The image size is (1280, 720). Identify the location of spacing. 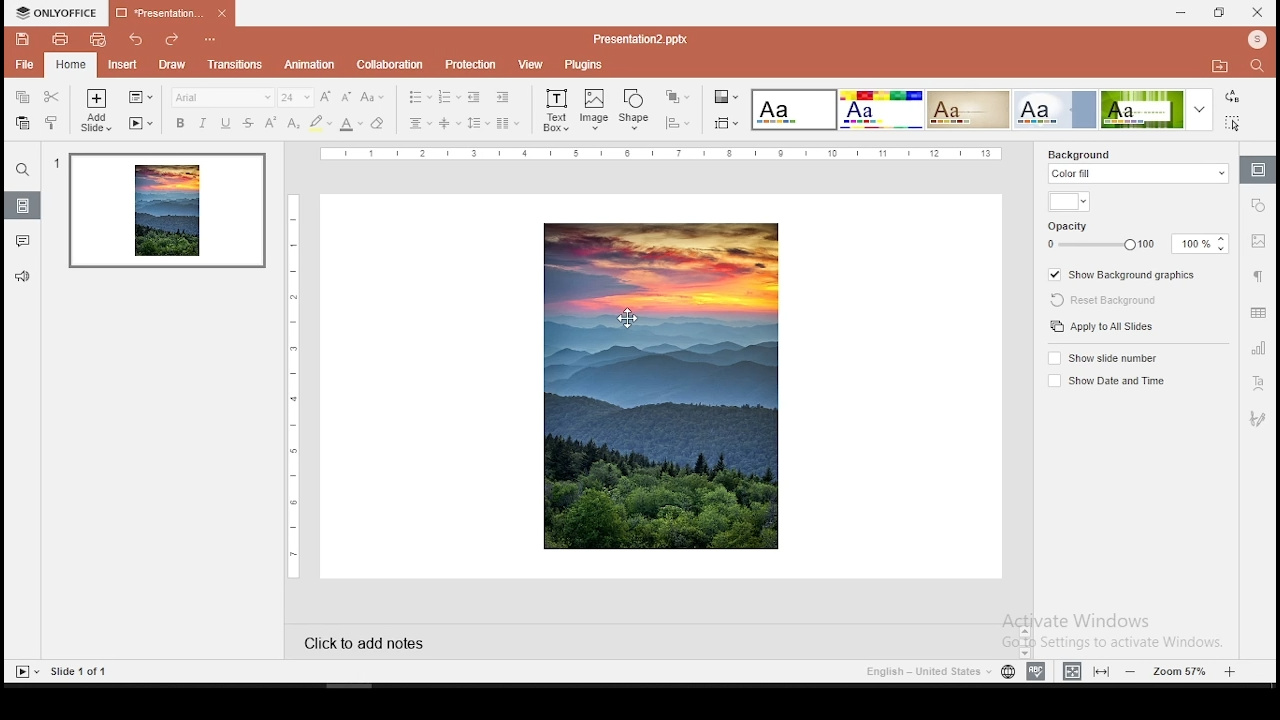
(479, 123).